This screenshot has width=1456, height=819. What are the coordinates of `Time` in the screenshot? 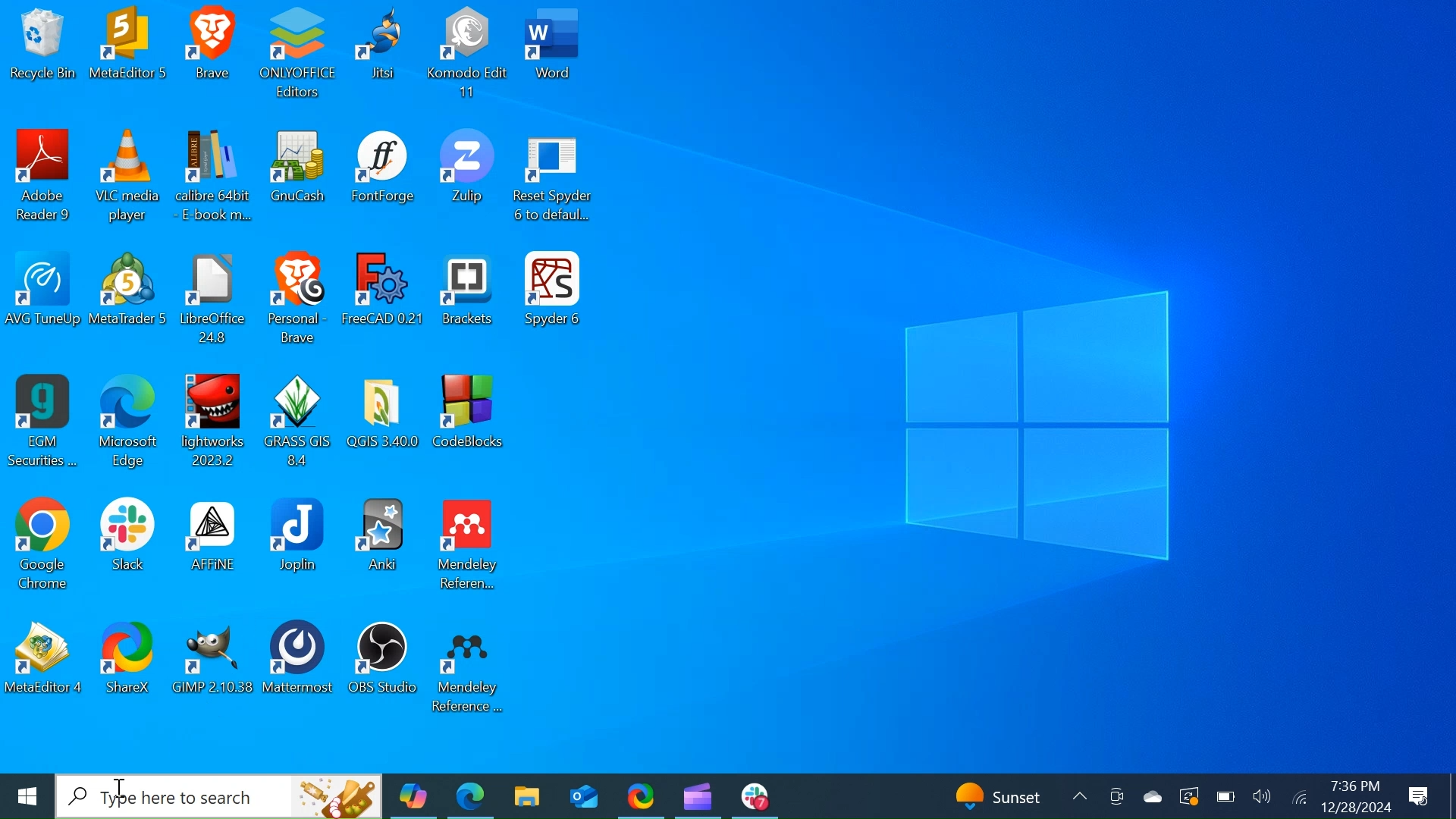 It's located at (1353, 786).